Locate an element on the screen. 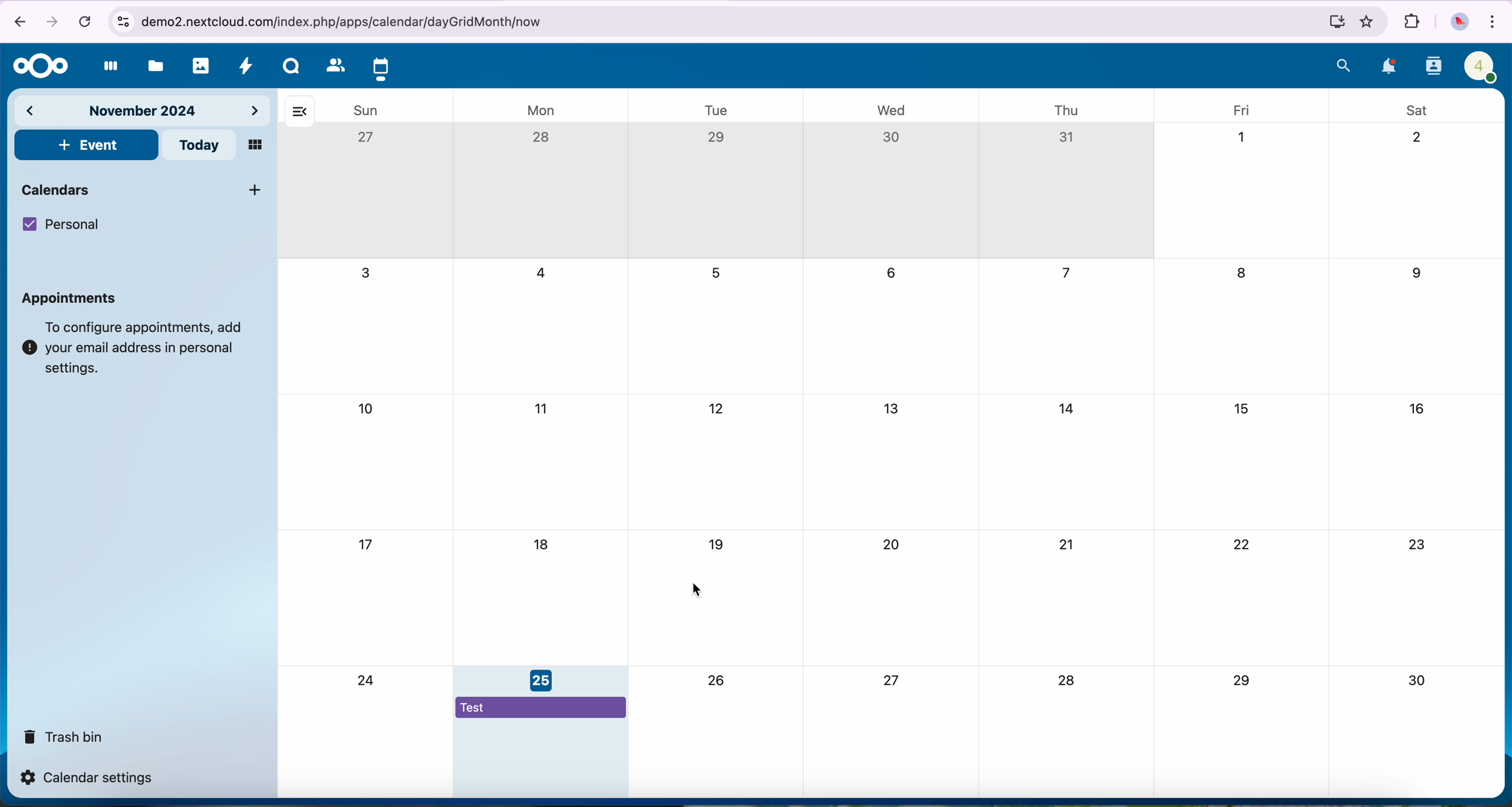  november 2024 is located at coordinates (143, 112).